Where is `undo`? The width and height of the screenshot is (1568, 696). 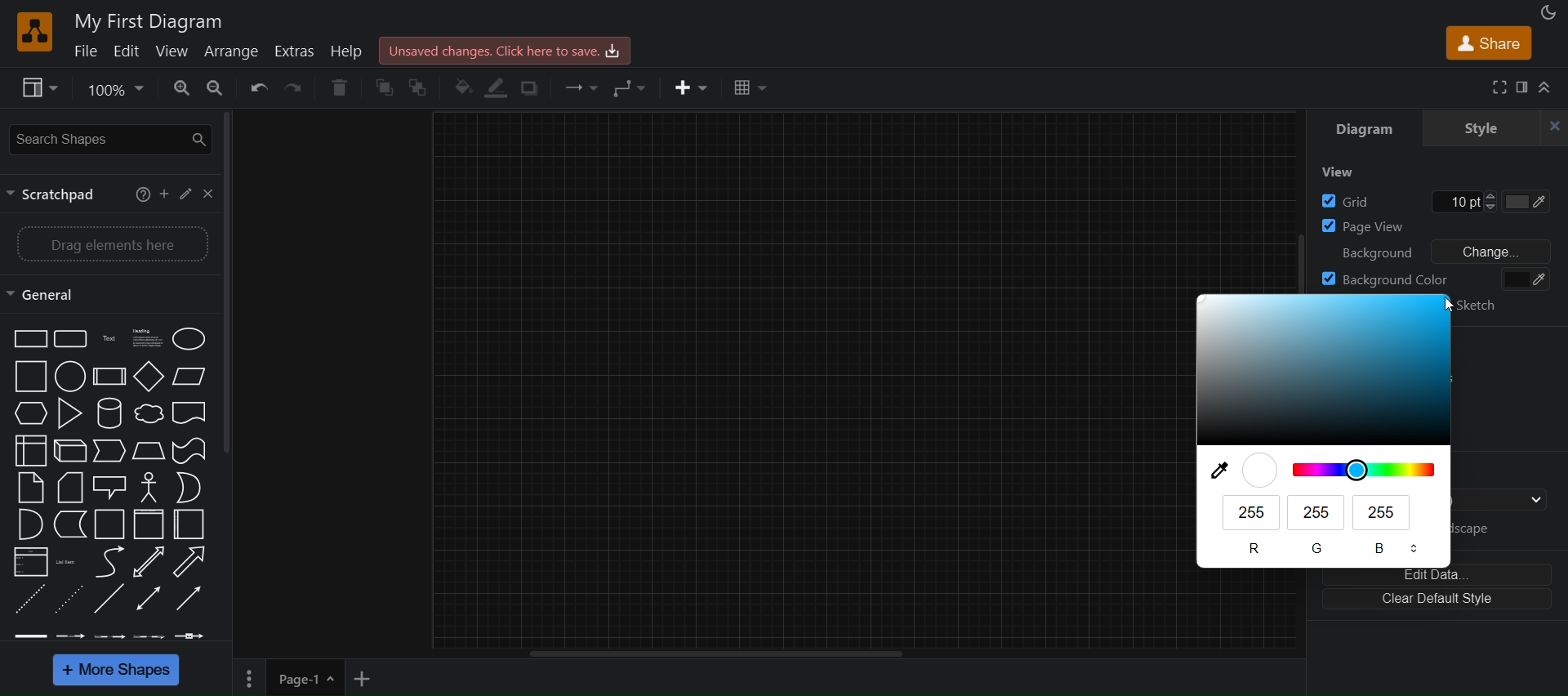
undo is located at coordinates (258, 88).